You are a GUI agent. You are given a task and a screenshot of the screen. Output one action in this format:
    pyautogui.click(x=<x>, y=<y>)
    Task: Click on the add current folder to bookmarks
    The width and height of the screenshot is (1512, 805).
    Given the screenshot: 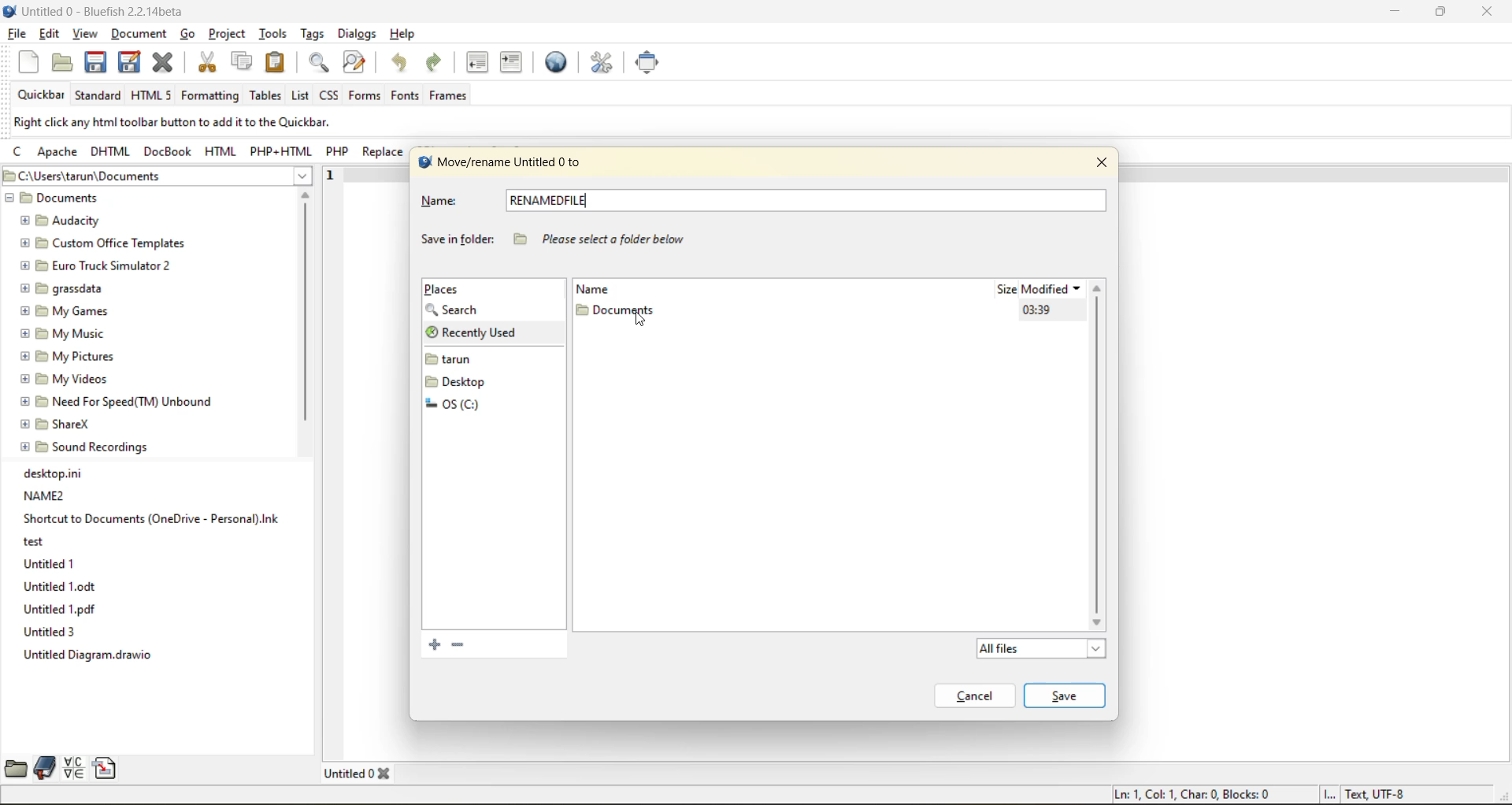 What is the action you would take?
    pyautogui.click(x=435, y=645)
    